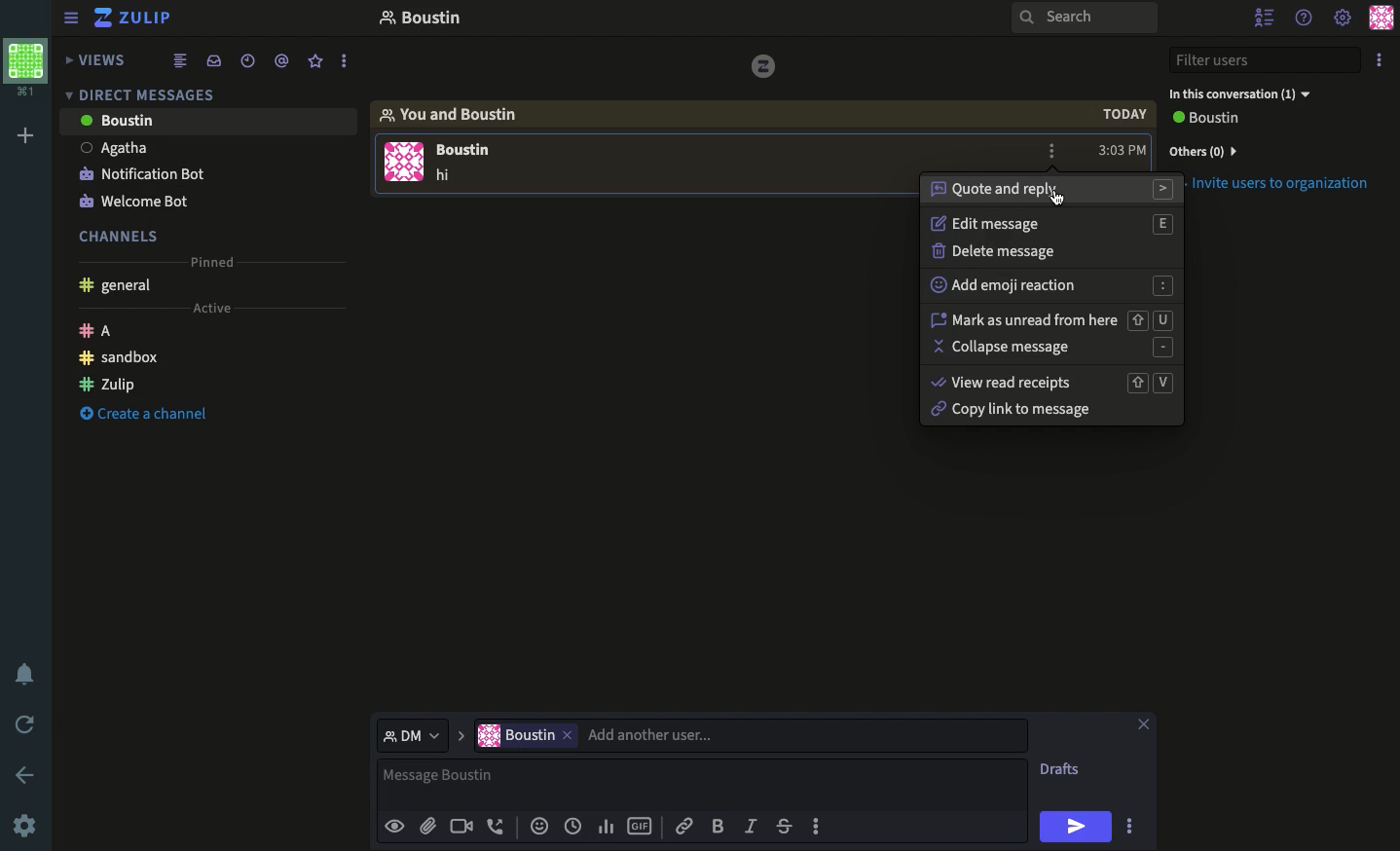 The width and height of the screenshot is (1400, 851). What do you see at coordinates (142, 172) in the screenshot?
I see `Notification bot` at bounding box center [142, 172].